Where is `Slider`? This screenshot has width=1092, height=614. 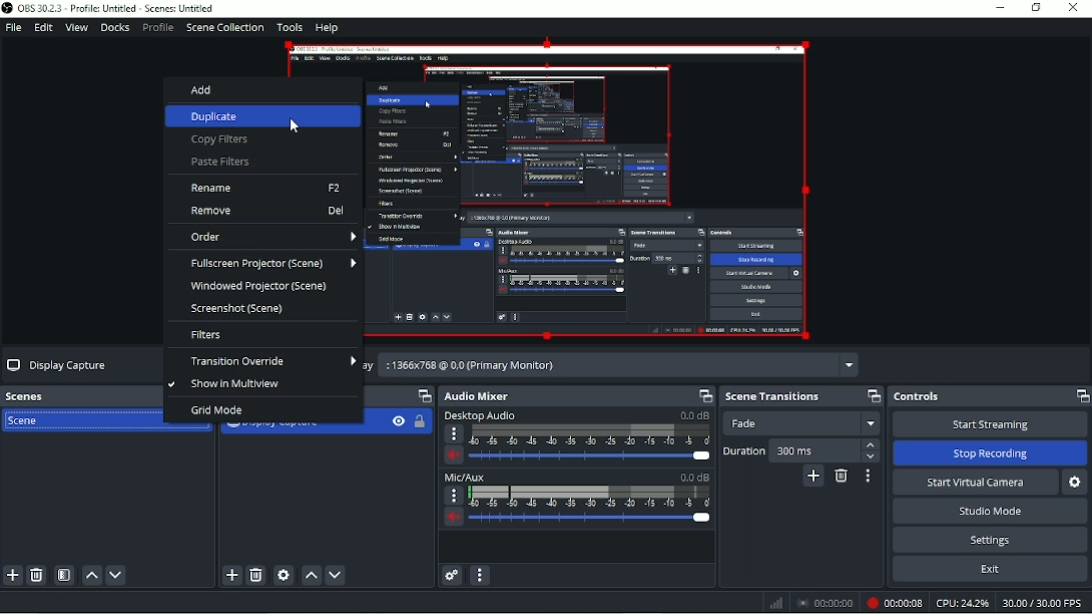 Slider is located at coordinates (591, 457).